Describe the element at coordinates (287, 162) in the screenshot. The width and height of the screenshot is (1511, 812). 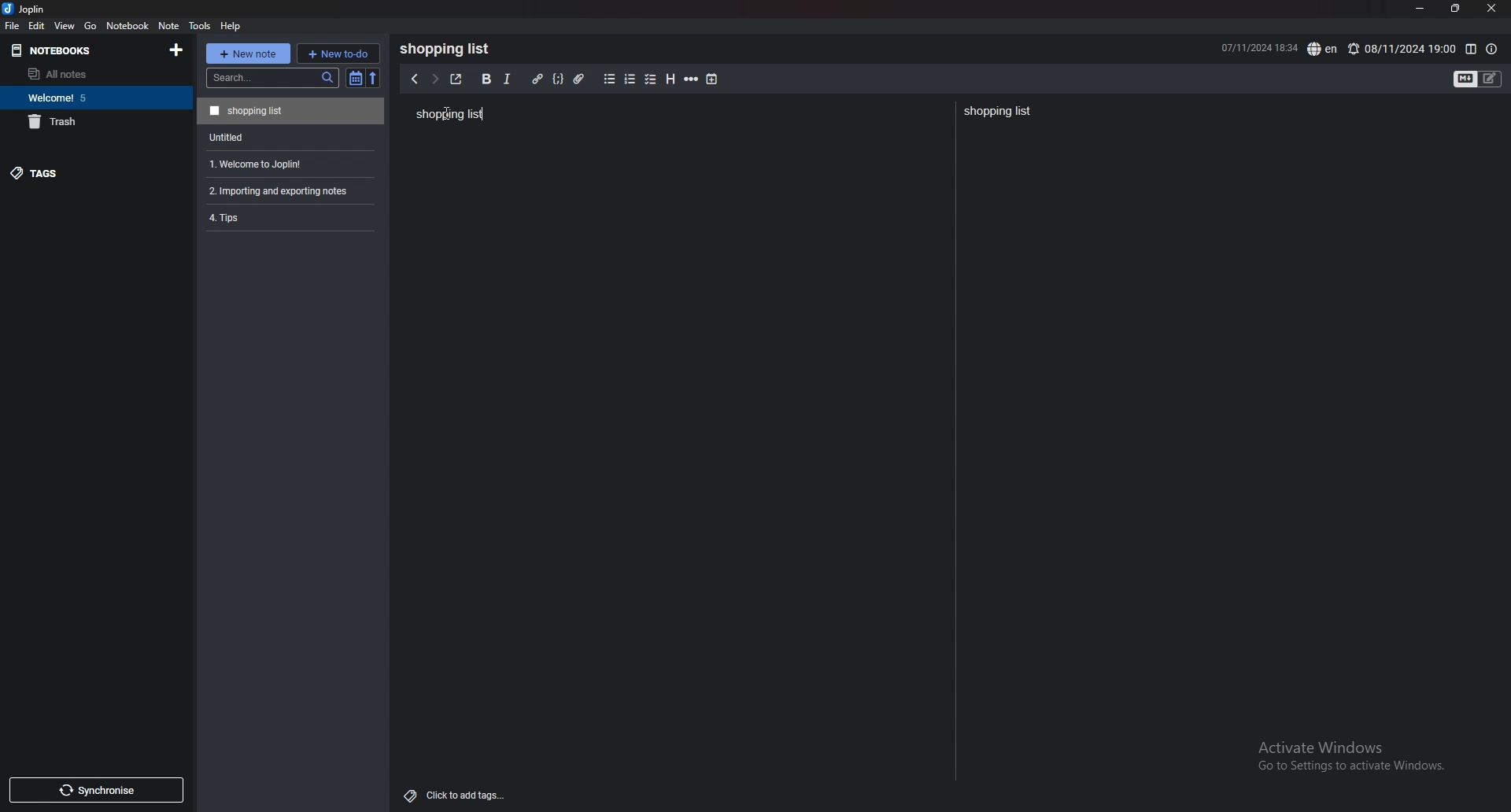
I see `1. Welcome to Joplin!` at that location.